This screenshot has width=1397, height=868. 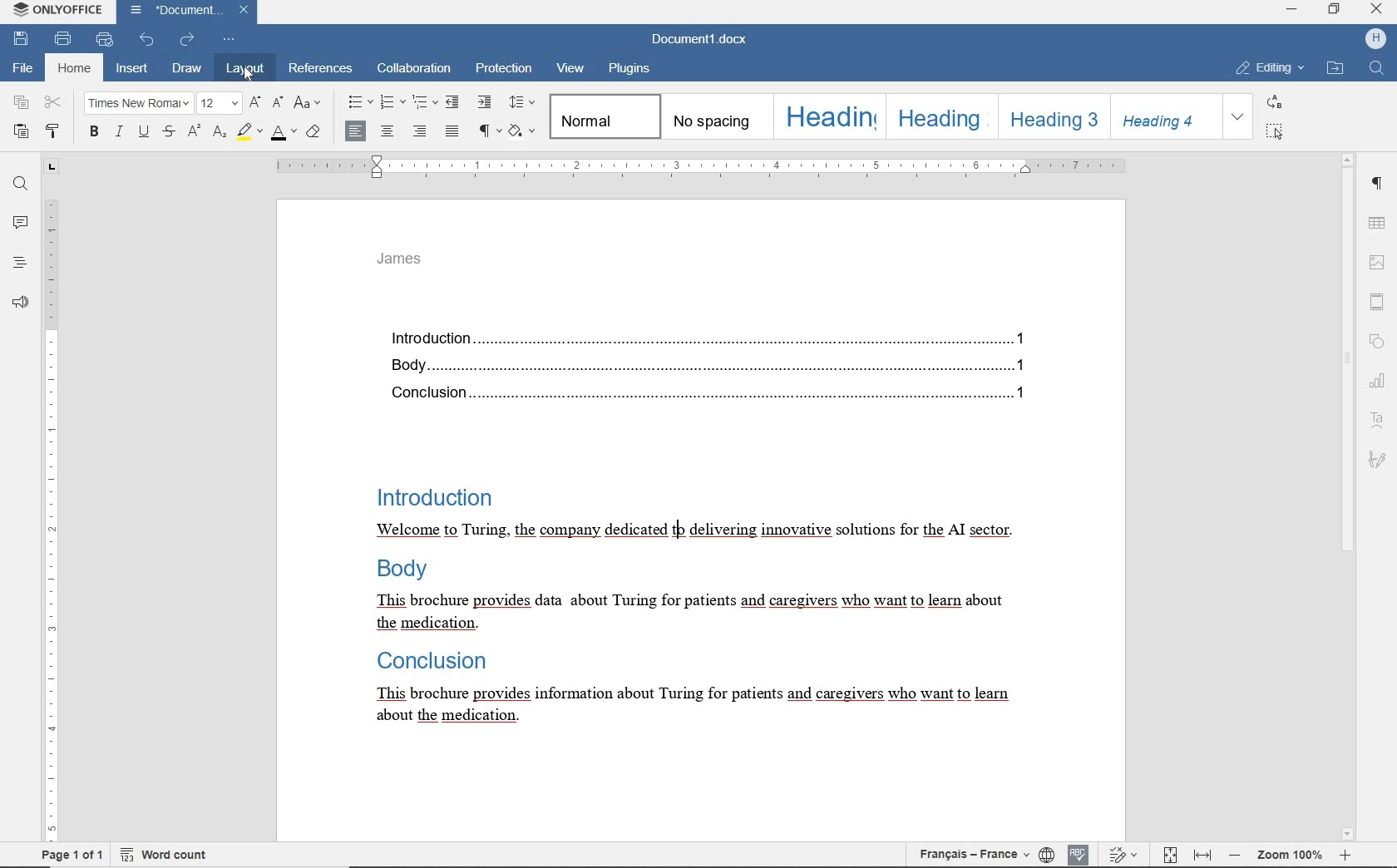 I want to click on paragraph settings, so click(x=1379, y=186).